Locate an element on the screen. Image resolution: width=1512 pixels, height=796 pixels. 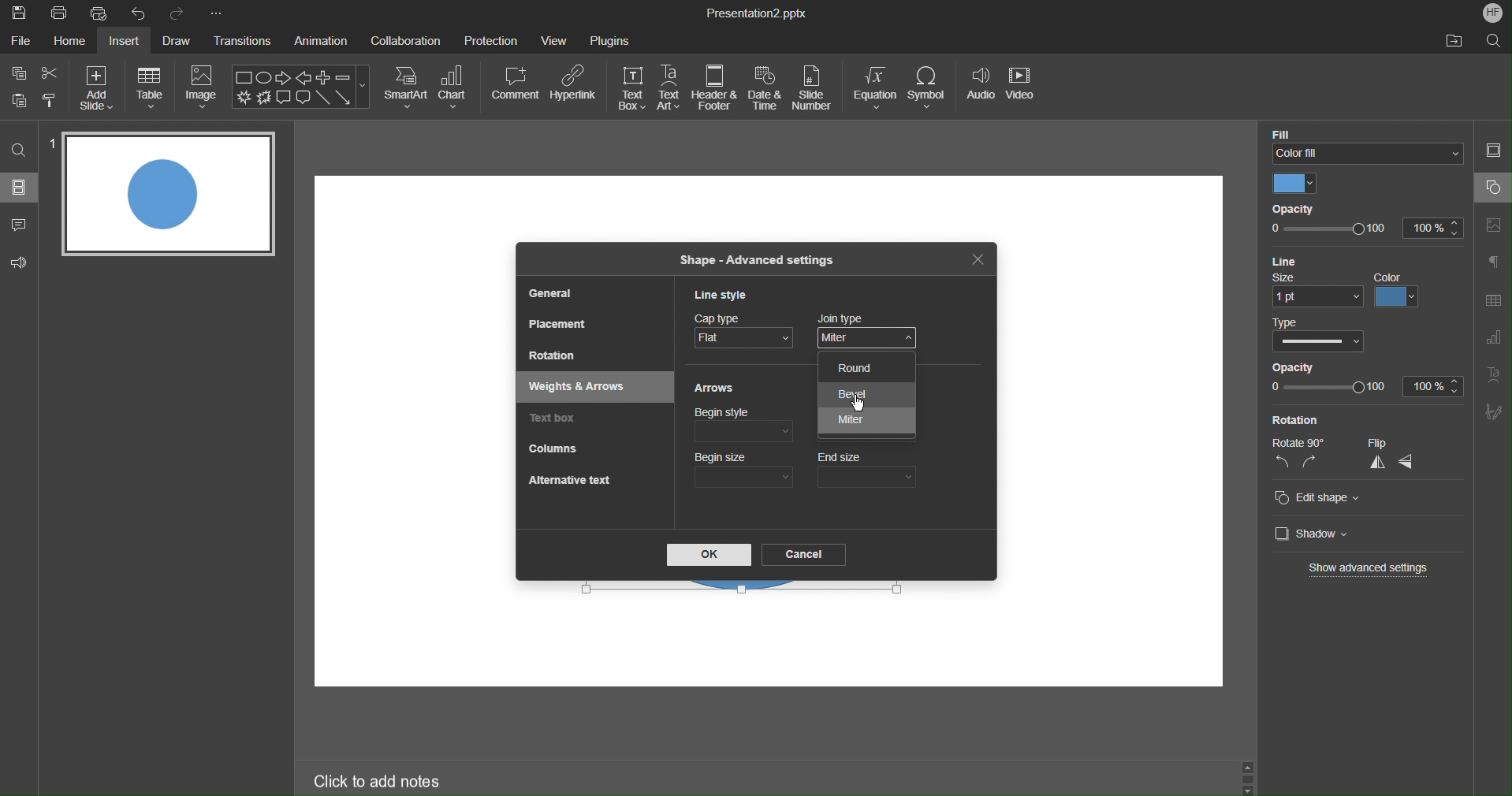
Cut is located at coordinates (51, 73).